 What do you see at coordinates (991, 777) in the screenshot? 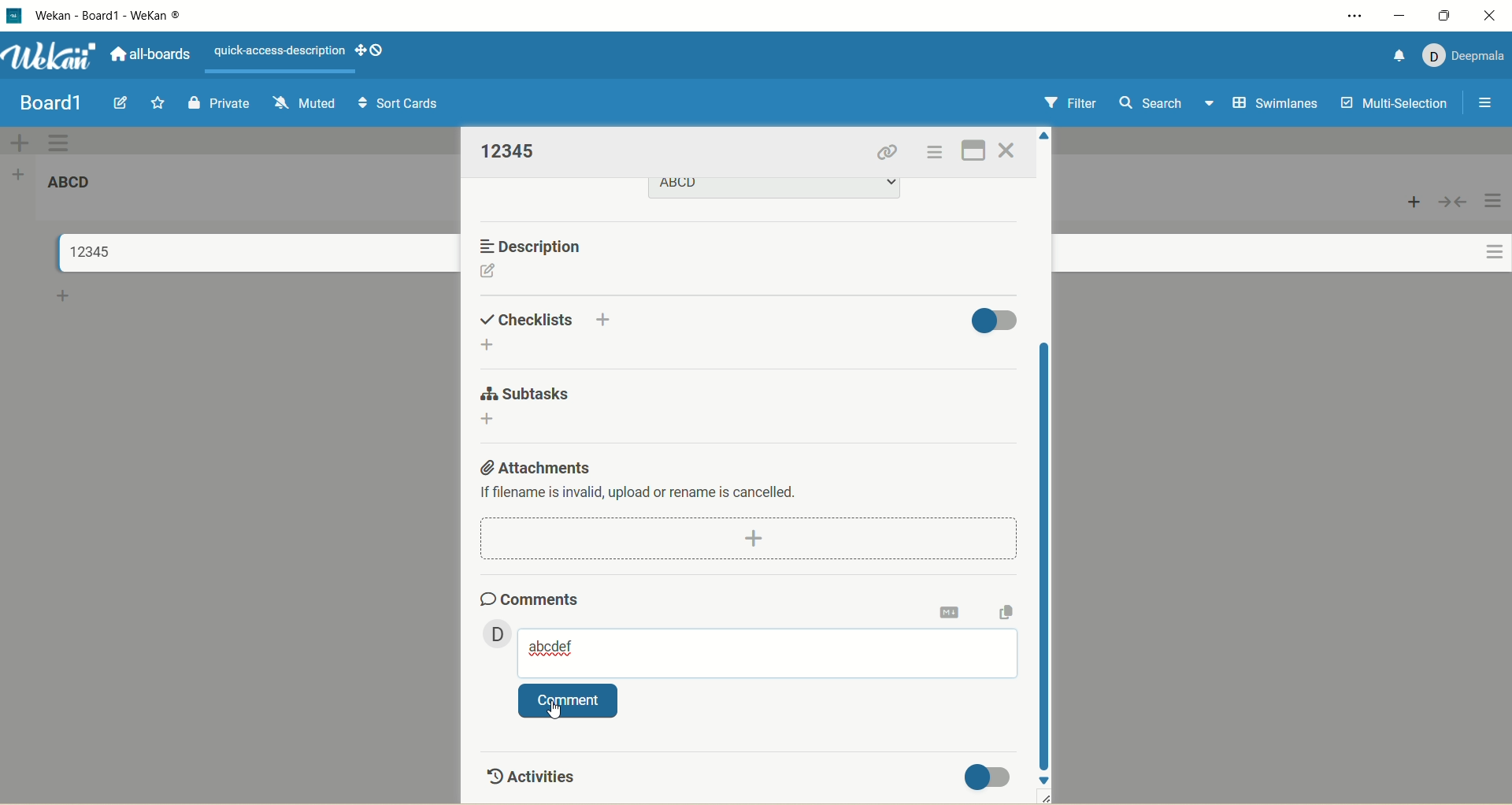
I see `toggle` at bounding box center [991, 777].